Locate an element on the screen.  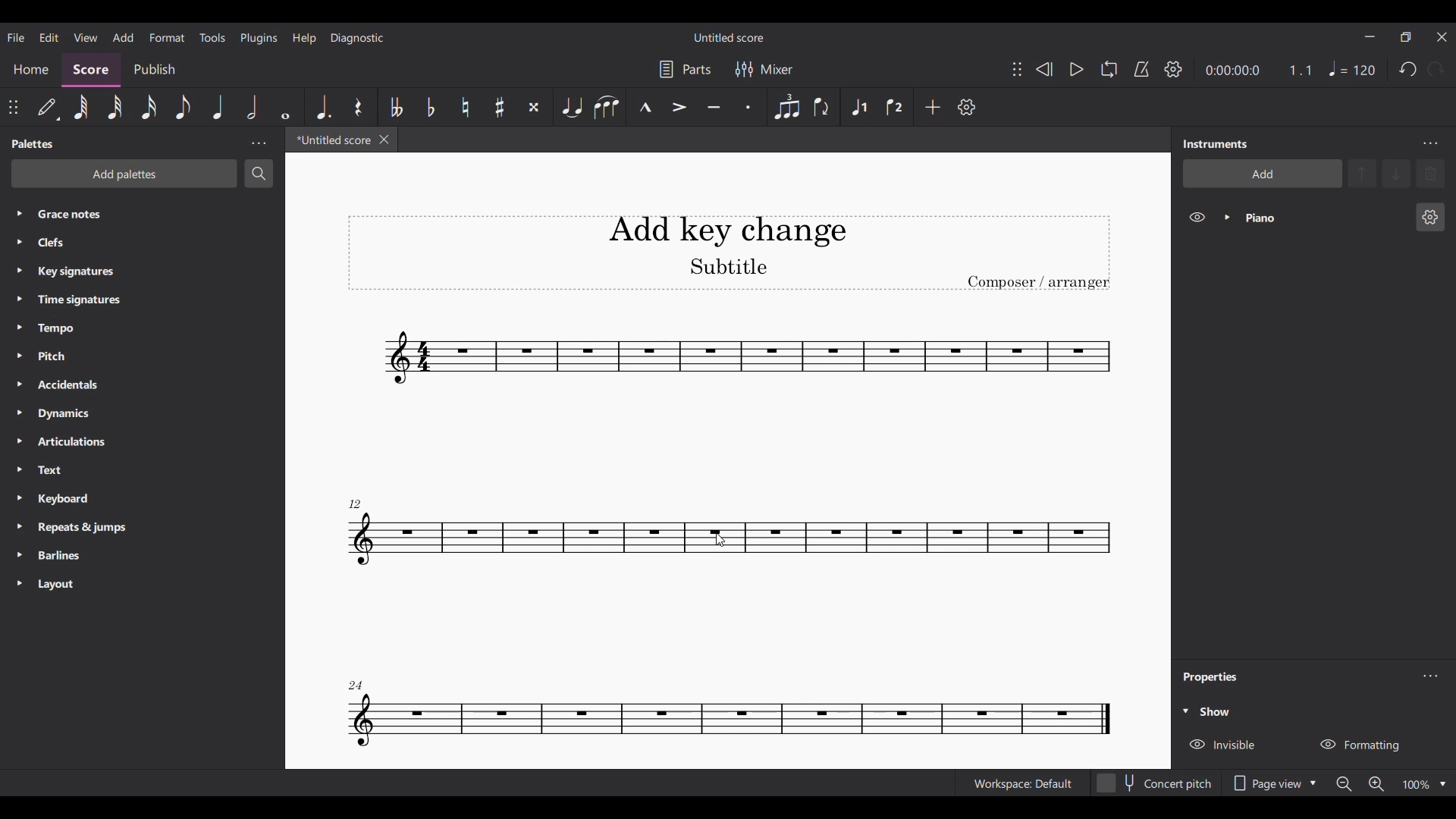
Add tool is located at coordinates (933, 108).